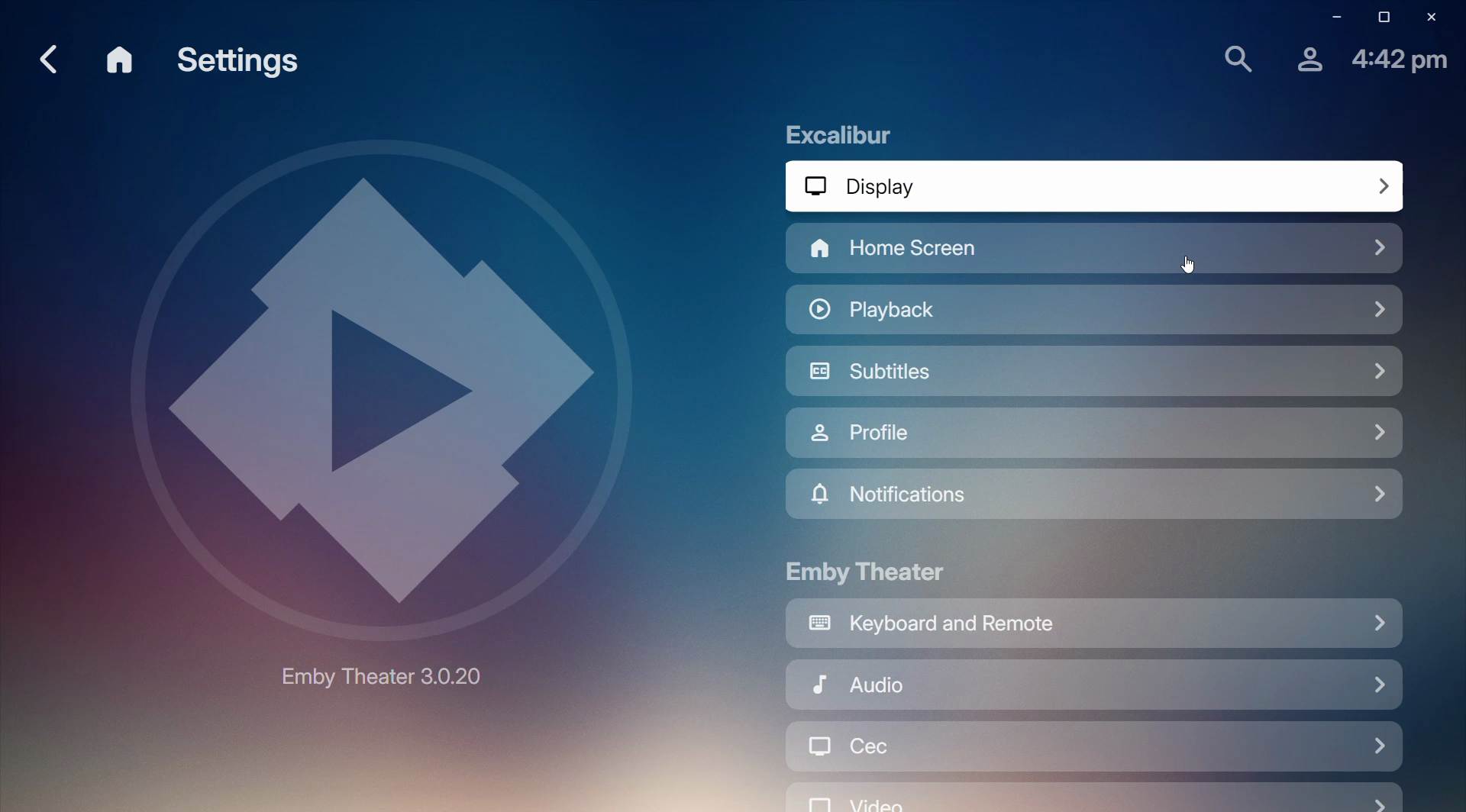 This screenshot has height=812, width=1466. What do you see at coordinates (1092, 308) in the screenshot?
I see `Playback` at bounding box center [1092, 308].